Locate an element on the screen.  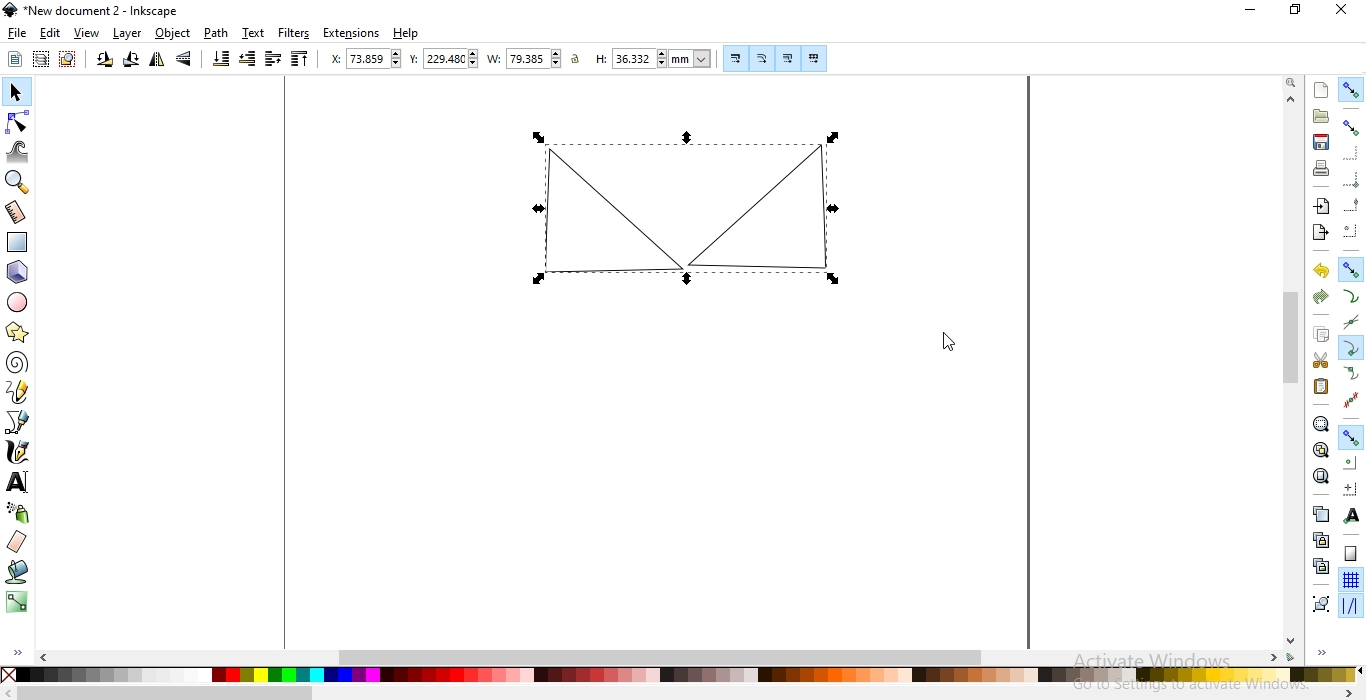
path is located at coordinates (215, 34).